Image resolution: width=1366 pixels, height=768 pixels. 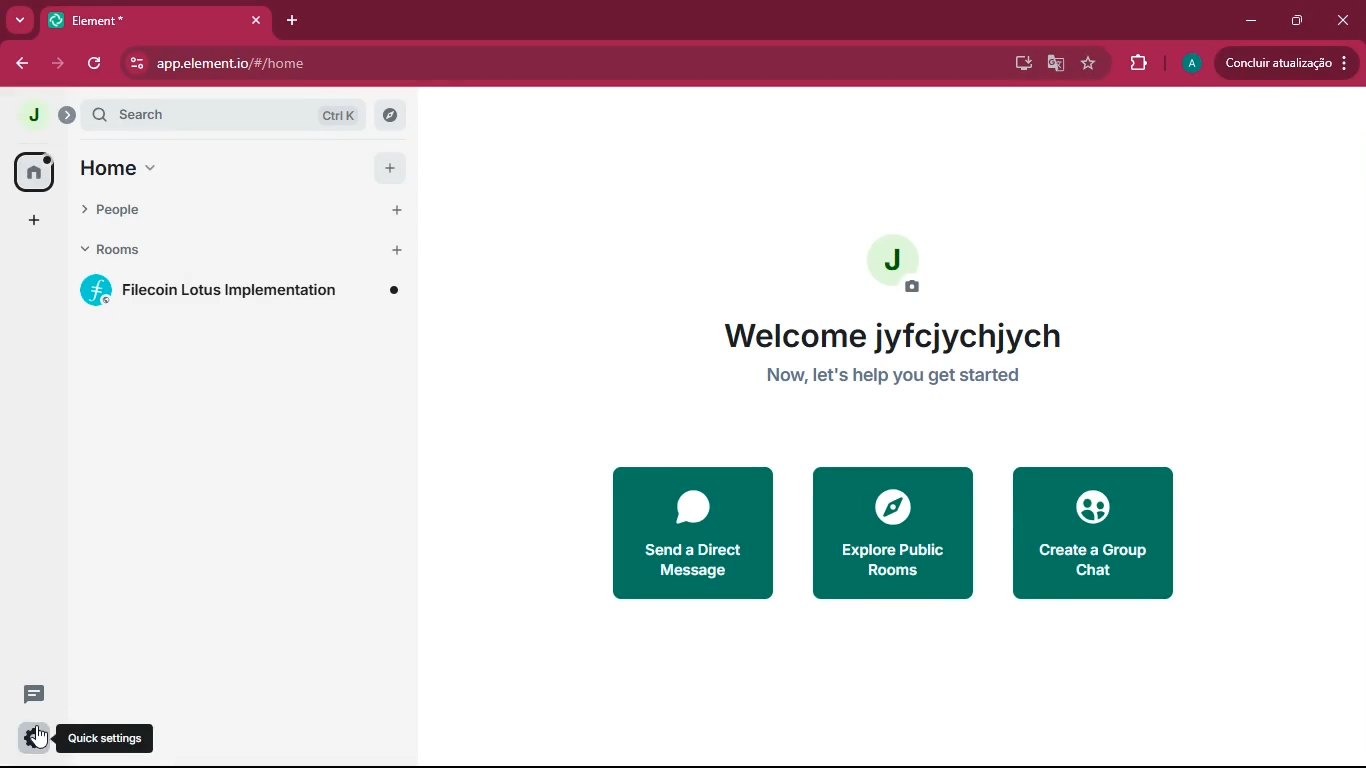 I want to click on Element, so click(x=142, y=21).